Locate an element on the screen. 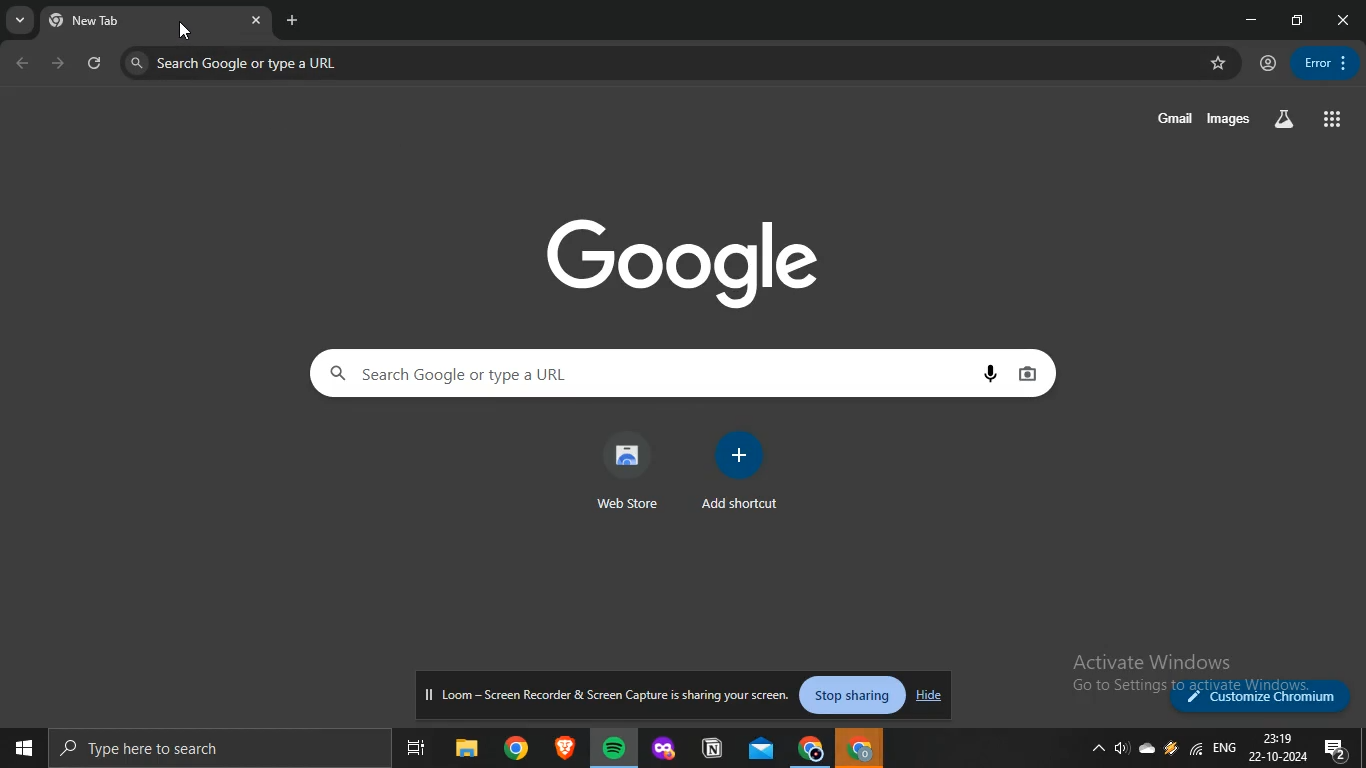 The width and height of the screenshot is (1366, 768). menu is located at coordinates (1322, 61).